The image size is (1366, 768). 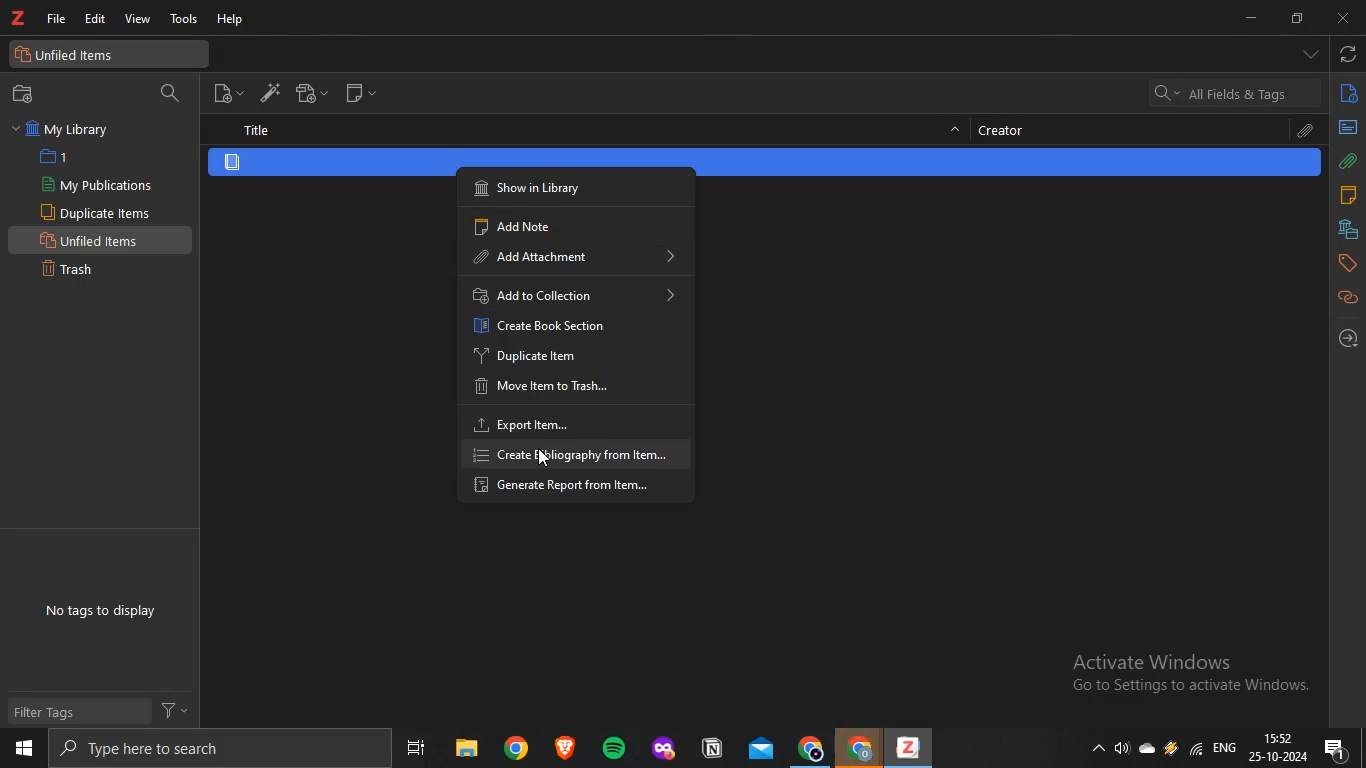 What do you see at coordinates (1347, 127) in the screenshot?
I see `abstract` at bounding box center [1347, 127].